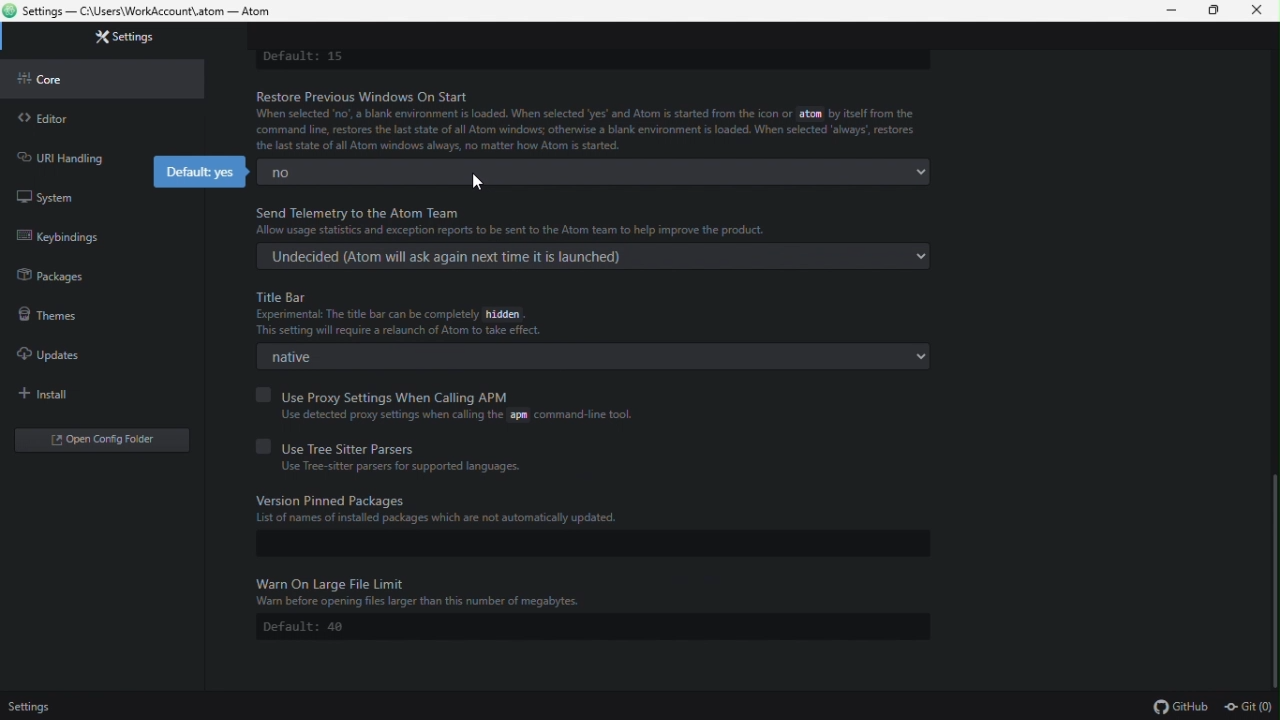 The image size is (1280, 720). Describe the element at coordinates (199, 173) in the screenshot. I see `default : yes` at that location.